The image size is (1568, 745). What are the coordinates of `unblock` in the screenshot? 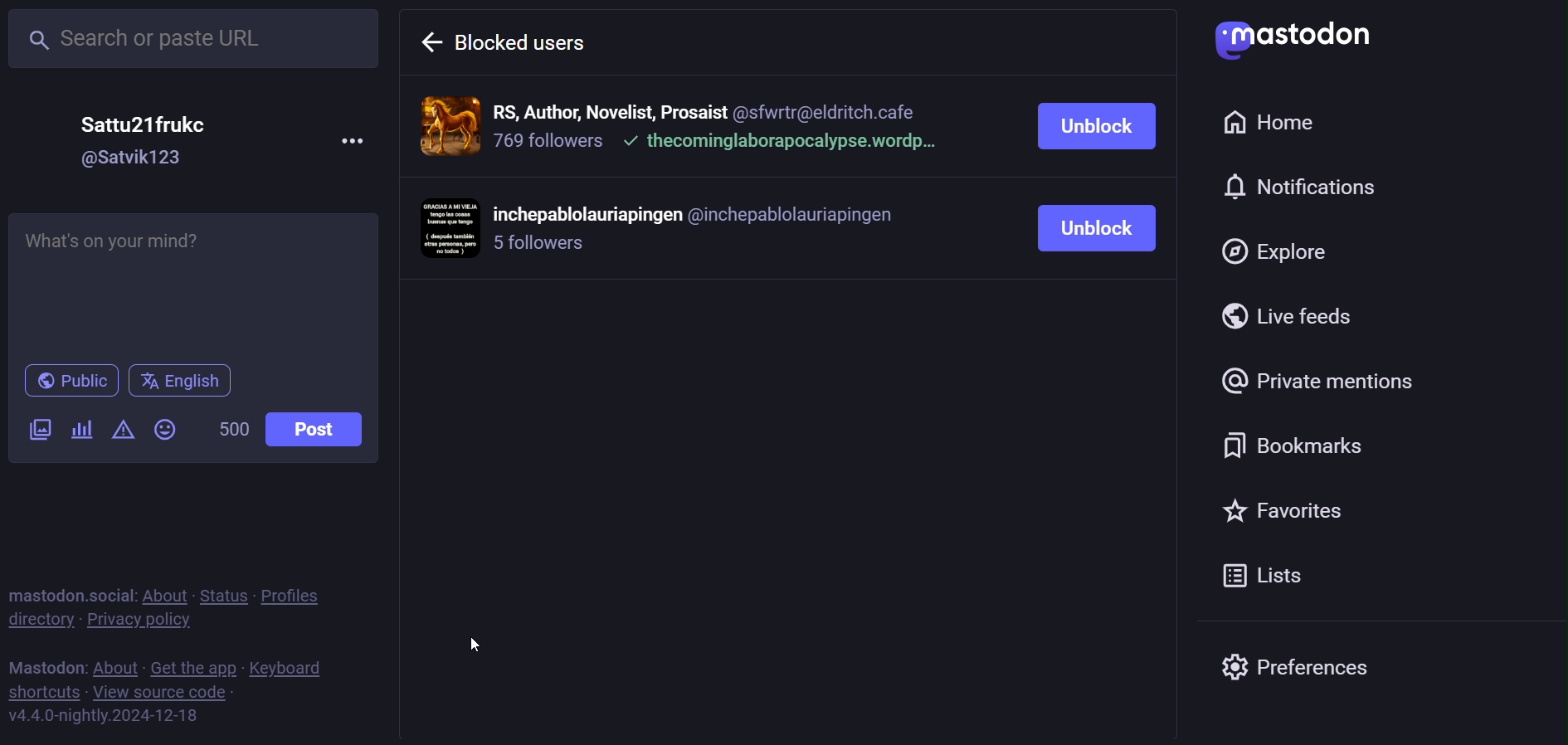 It's located at (1096, 125).